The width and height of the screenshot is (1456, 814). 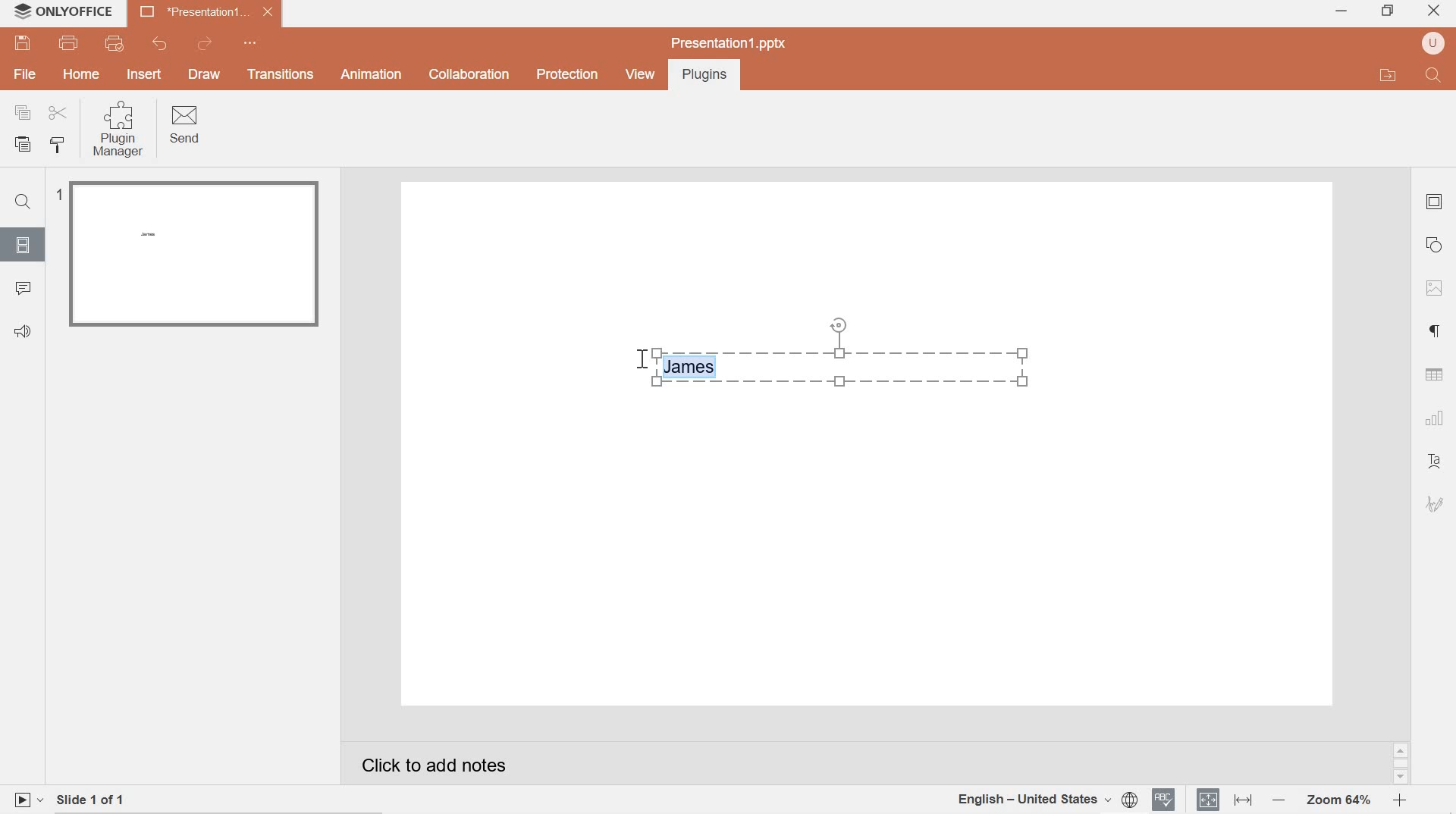 I want to click on spell checker, so click(x=1165, y=800).